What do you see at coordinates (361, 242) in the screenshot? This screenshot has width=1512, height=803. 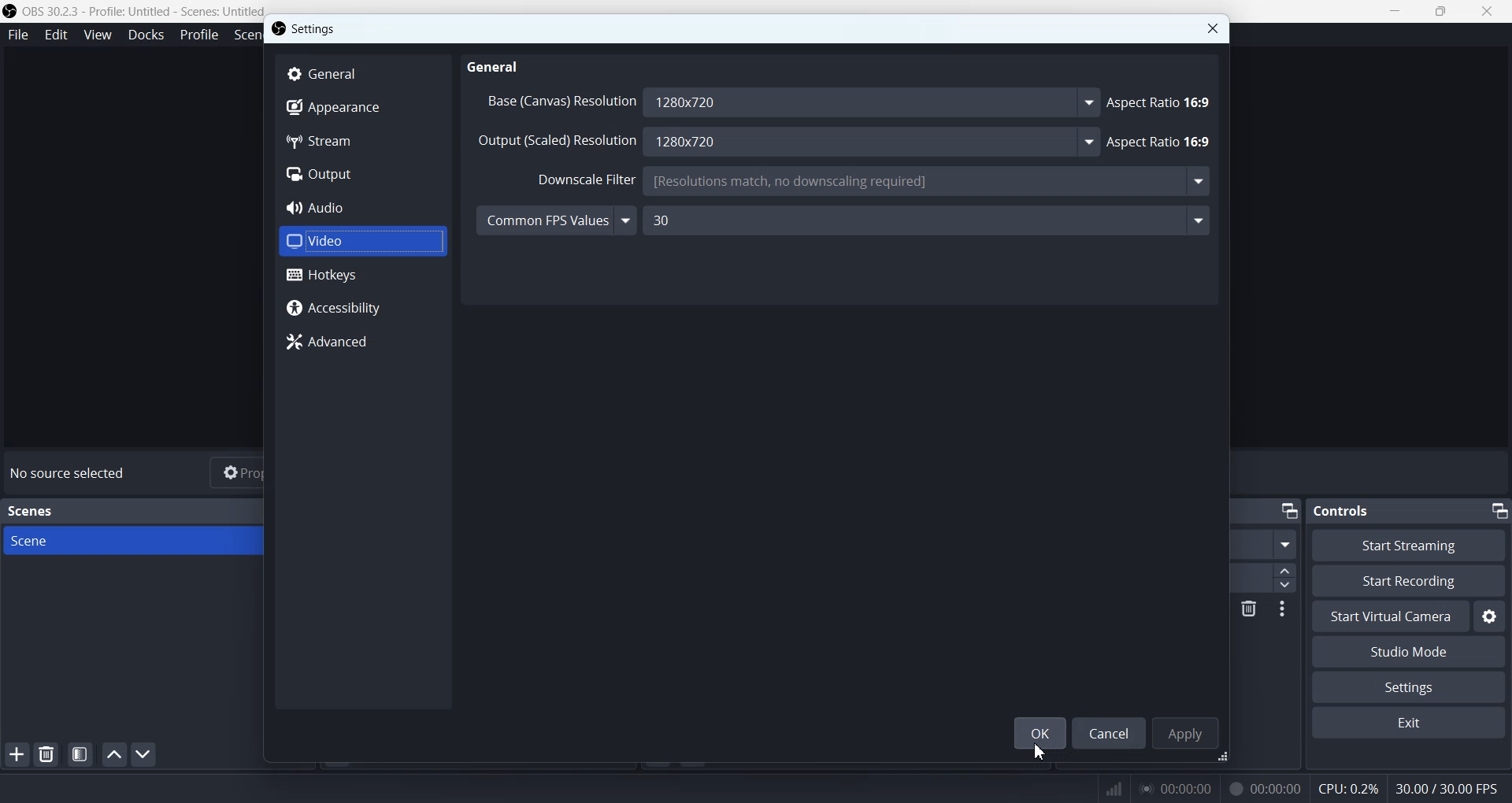 I see `Video` at bounding box center [361, 242].